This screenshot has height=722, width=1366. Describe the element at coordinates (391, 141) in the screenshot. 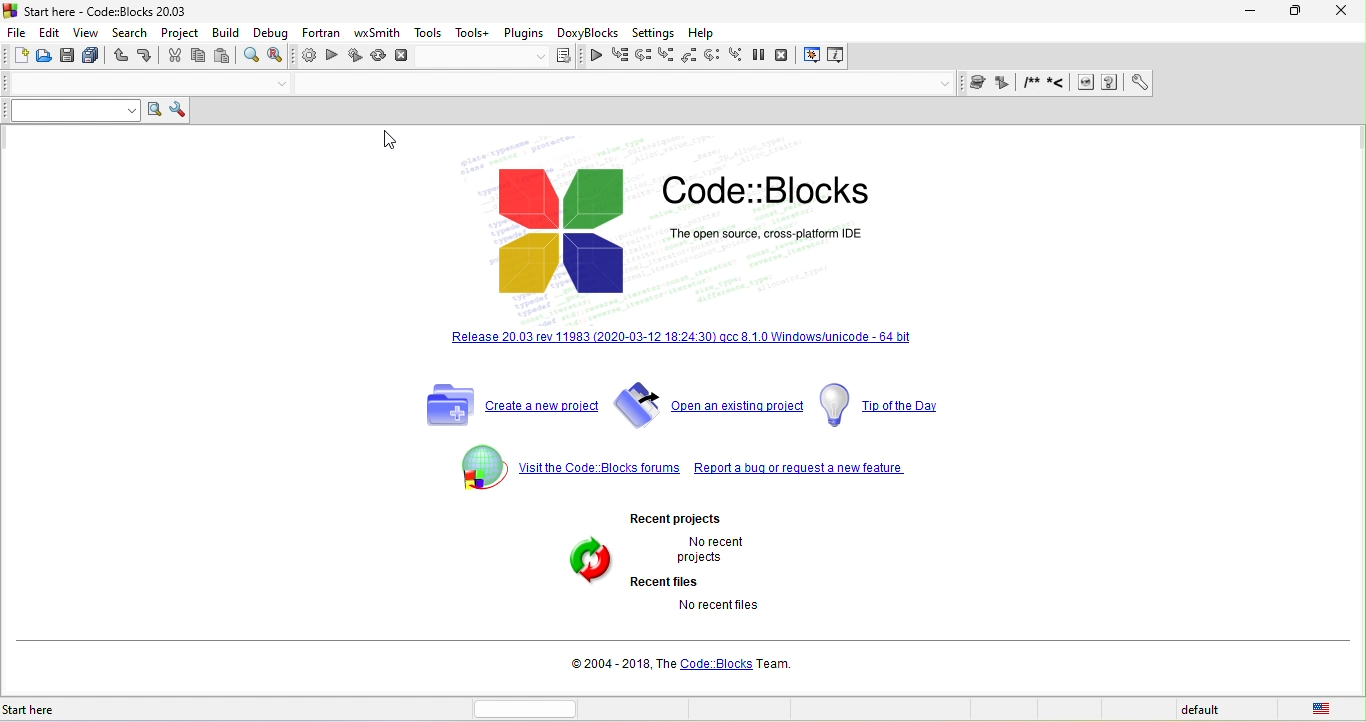

I see `cursor` at that location.